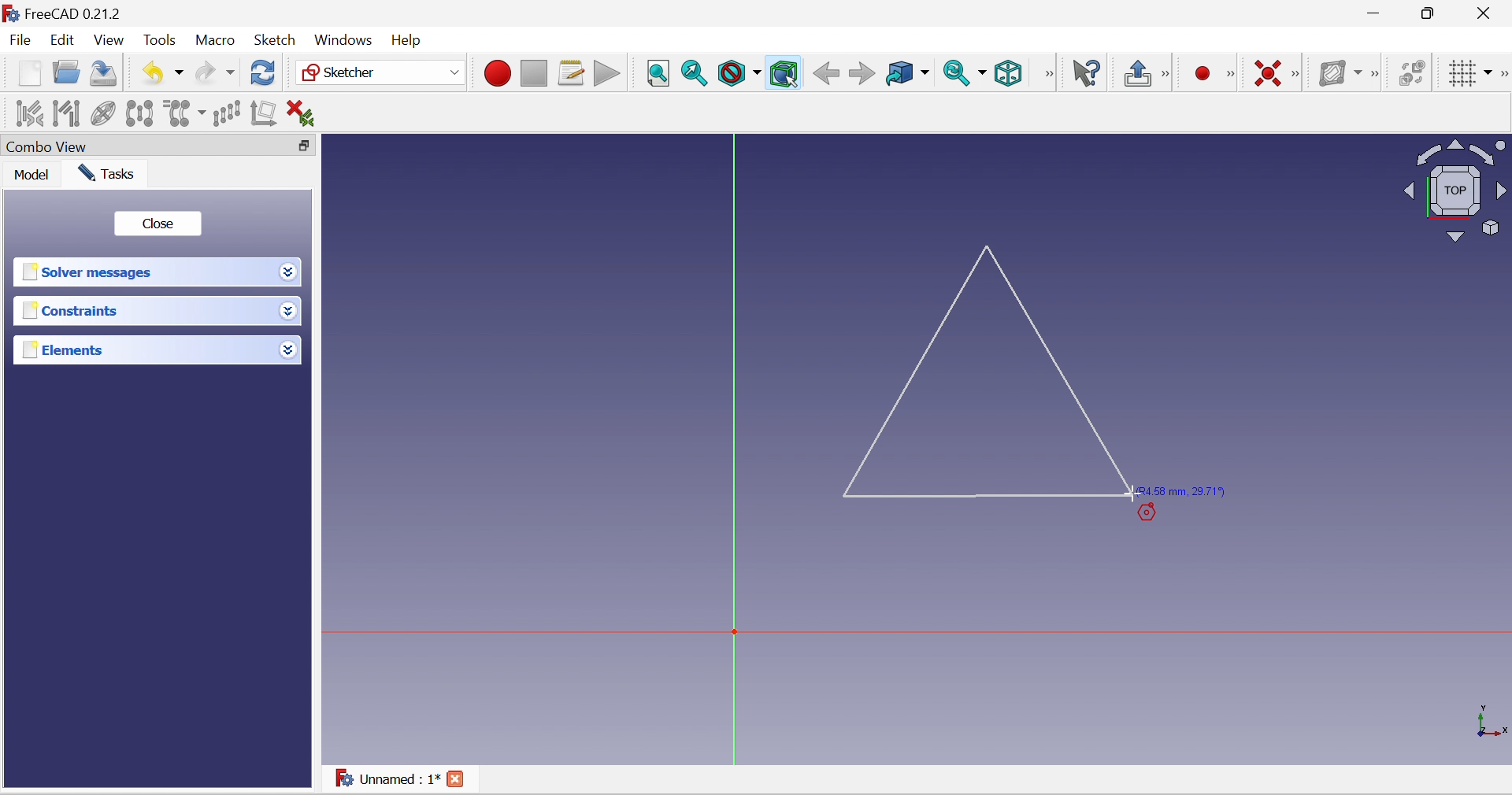 The width and height of the screenshot is (1512, 795). Describe the element at coordinates (29, 113) in the screenshot. I see `Select associated constraints` at that location.